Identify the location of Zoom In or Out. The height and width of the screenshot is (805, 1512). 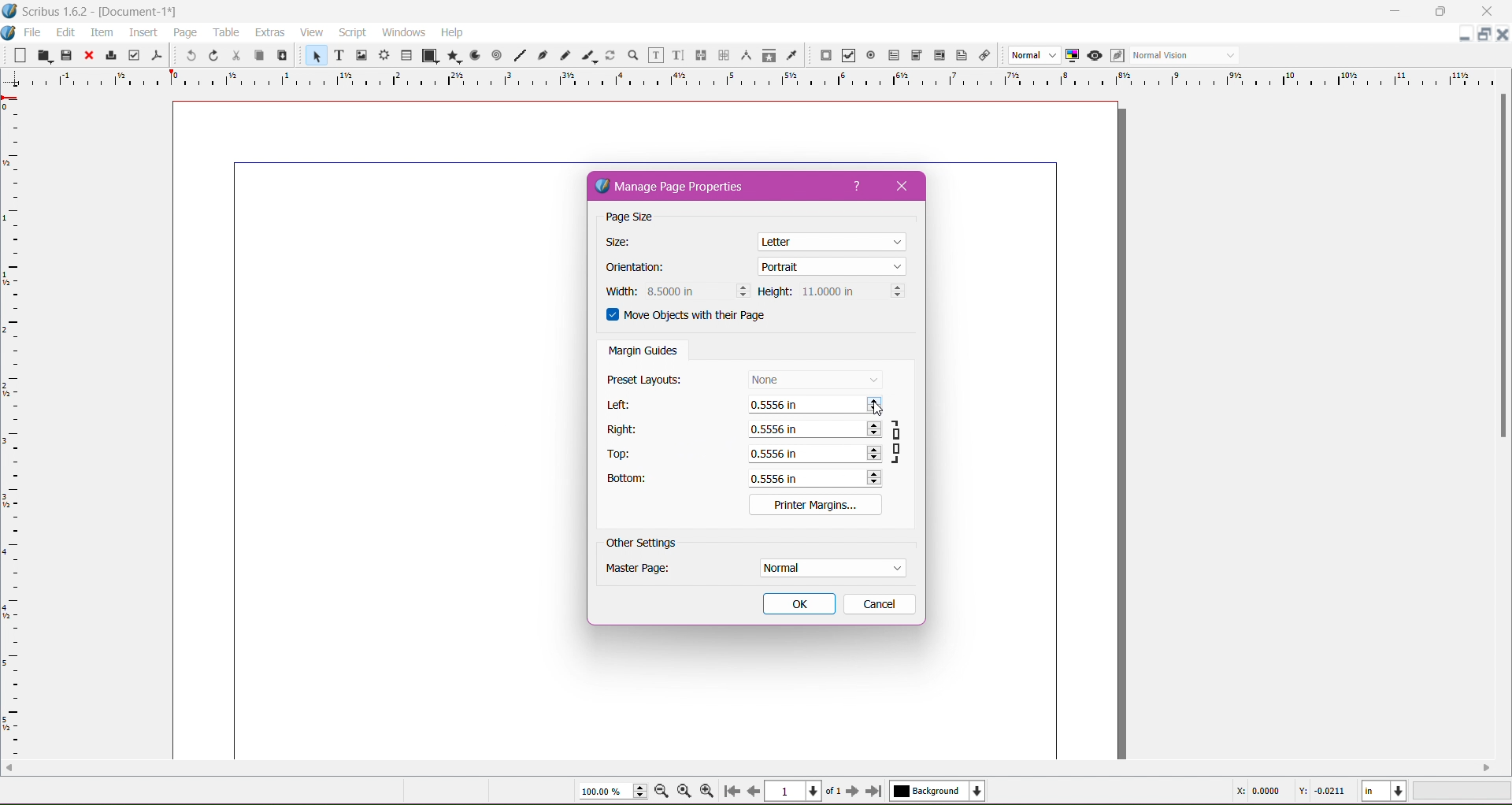
(632, 56).